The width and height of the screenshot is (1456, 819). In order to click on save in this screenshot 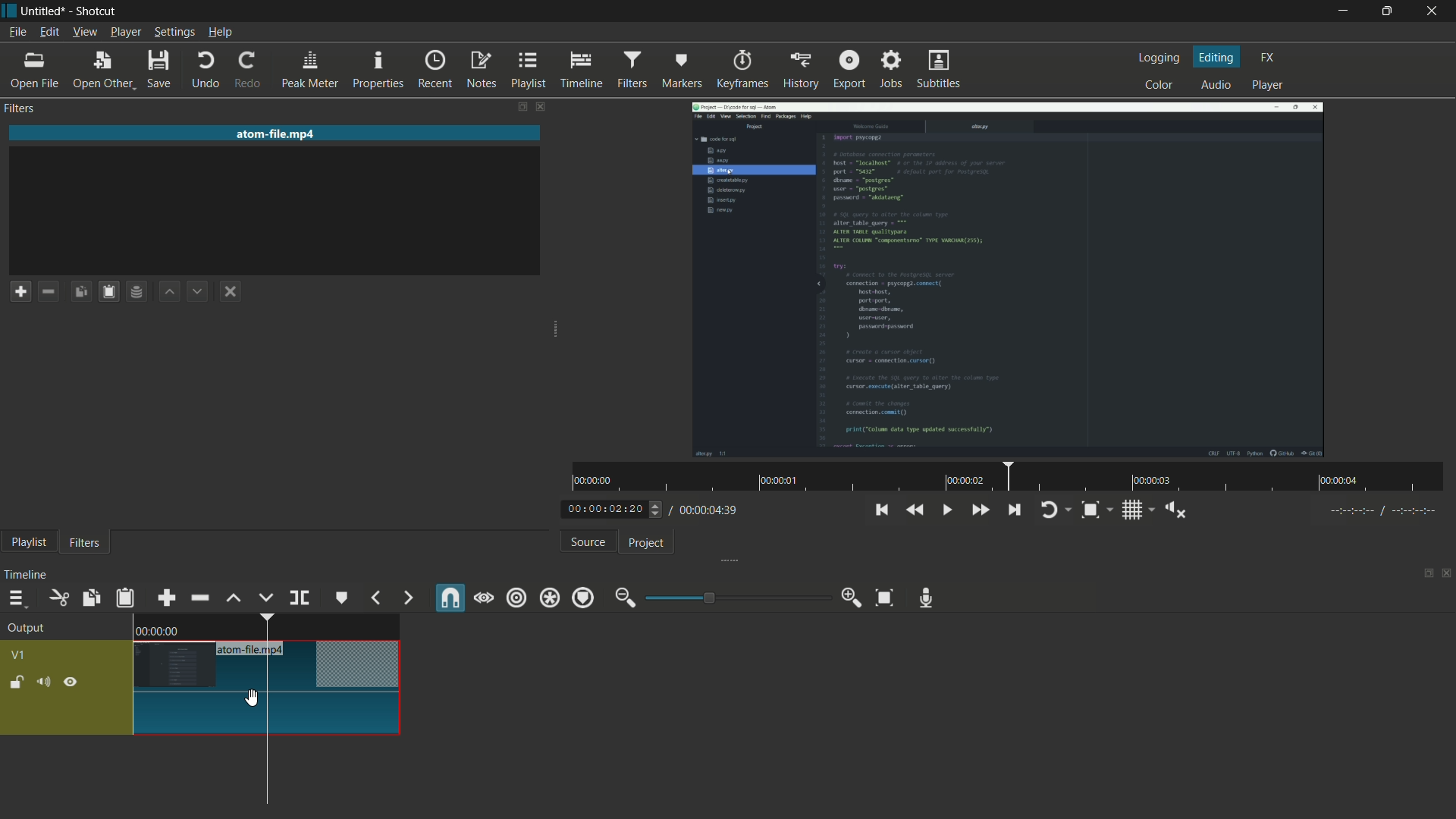, I will do `click(161, 70)`.